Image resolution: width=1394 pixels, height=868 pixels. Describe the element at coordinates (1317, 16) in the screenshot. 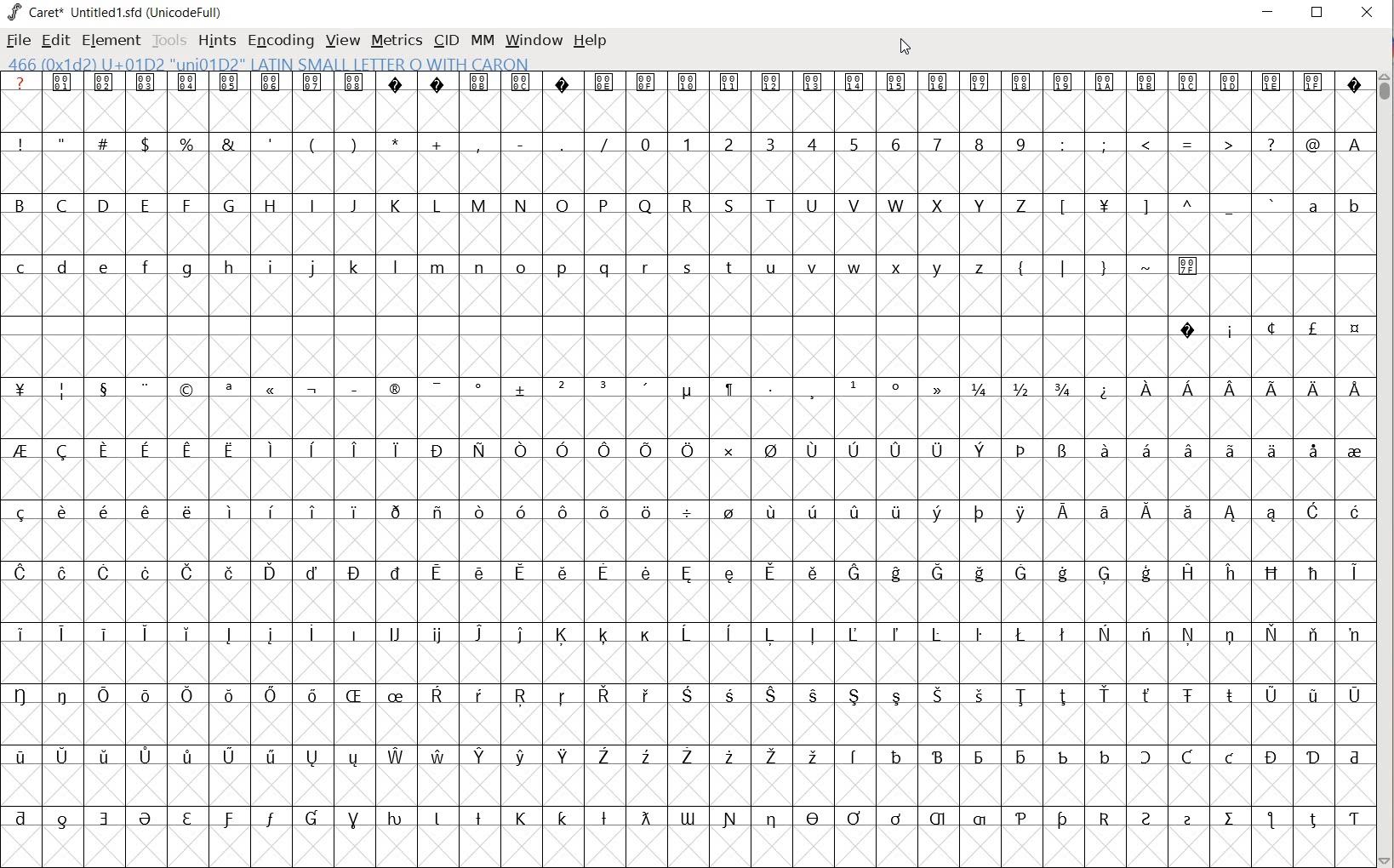

I see `RESTORE DOWN` at that location.